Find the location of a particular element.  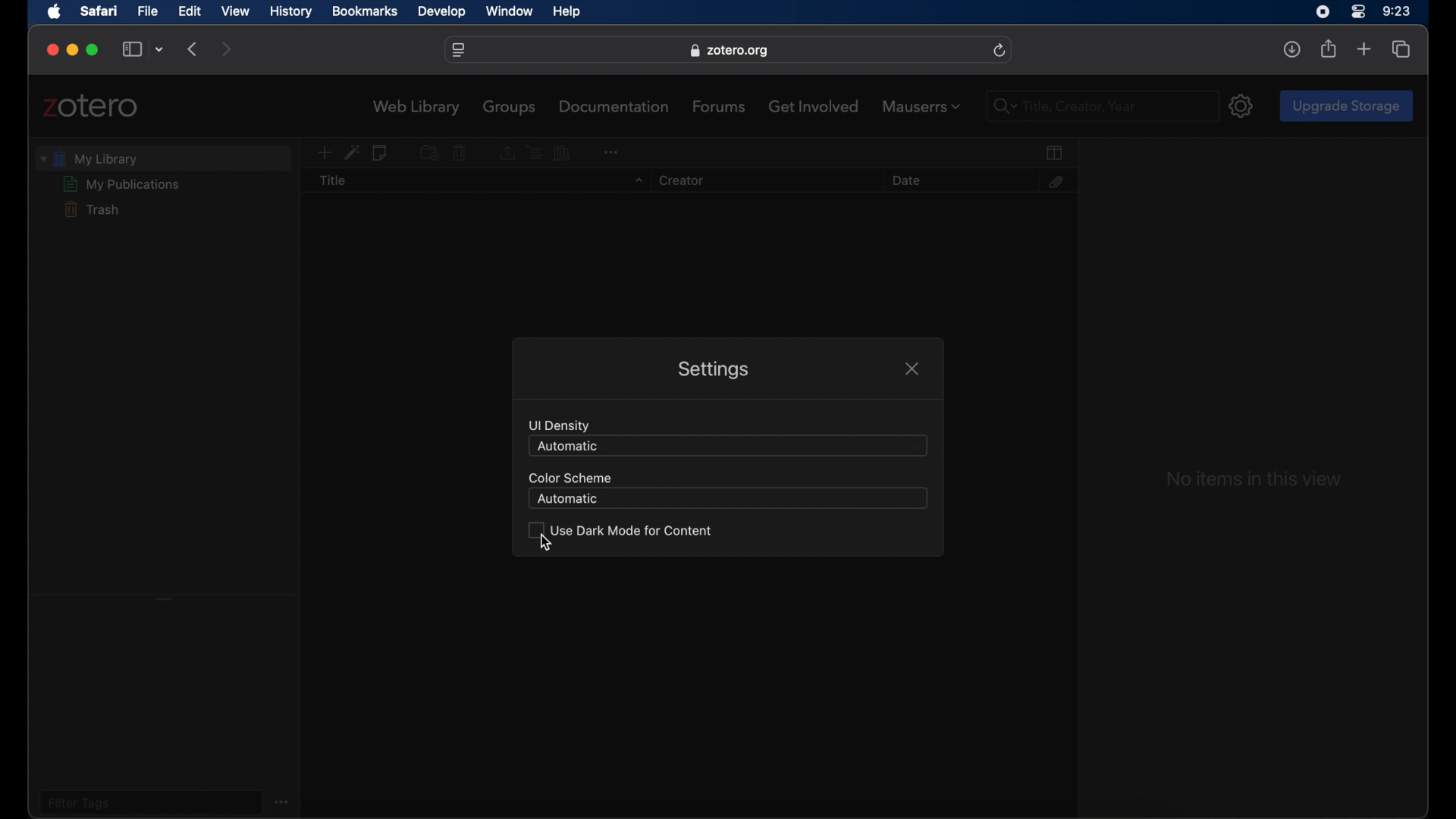

previous is located at coordinates (194, 48).